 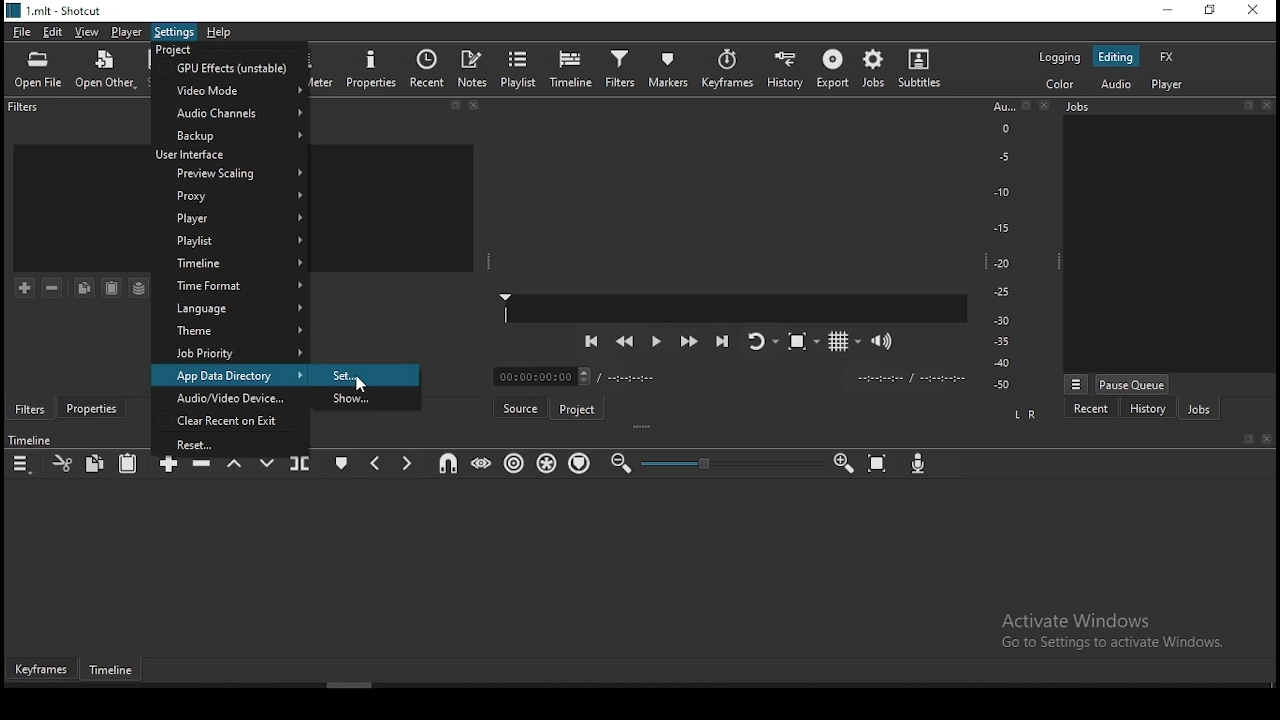 What do you see at coordinates (302, 463) in the screenshot?
I see `split at playhead` at bounding box center [302, 463].